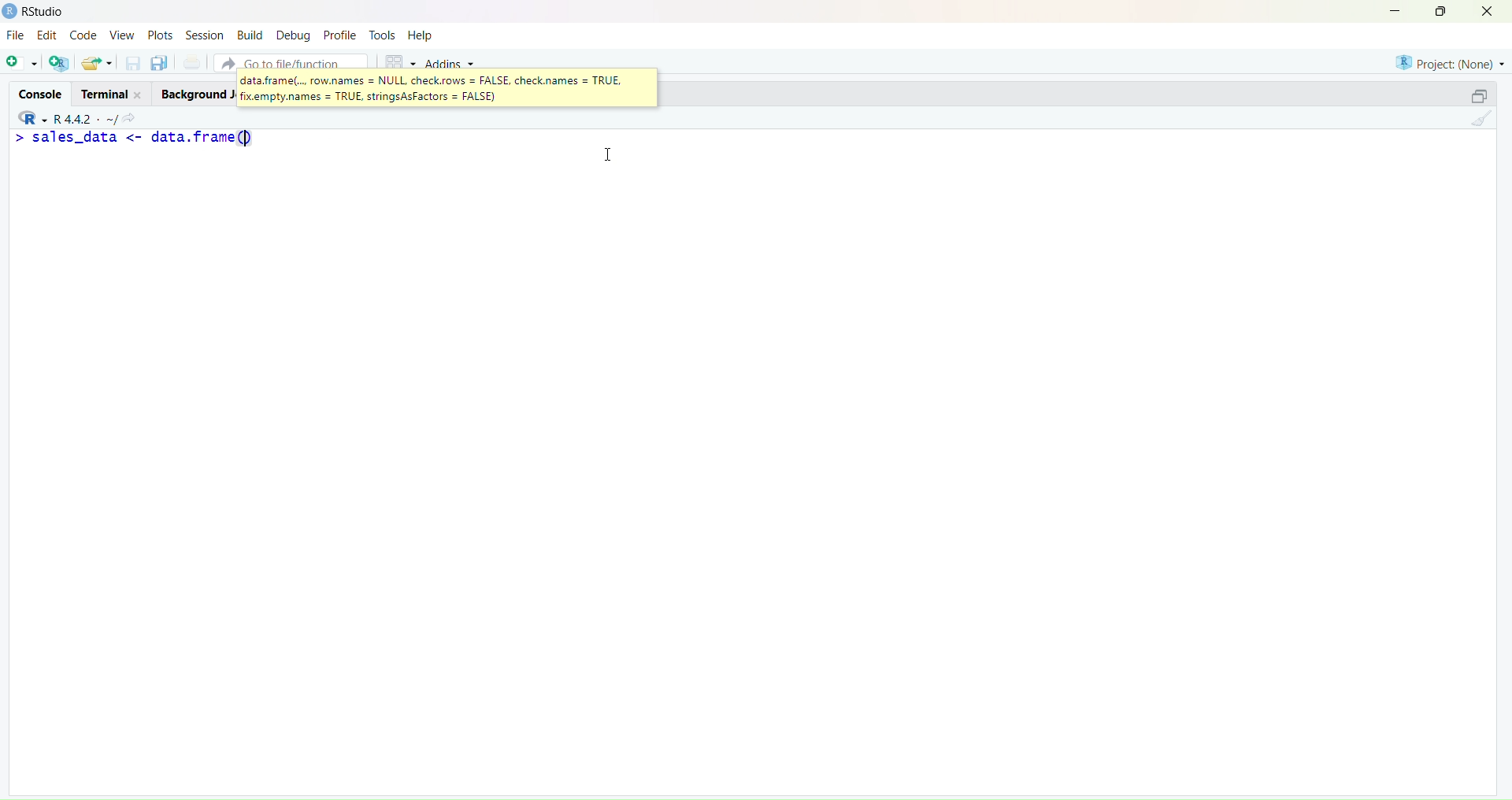  Describe the element at coordinates (16, 36) in the screenshot. I see `File` at that location.